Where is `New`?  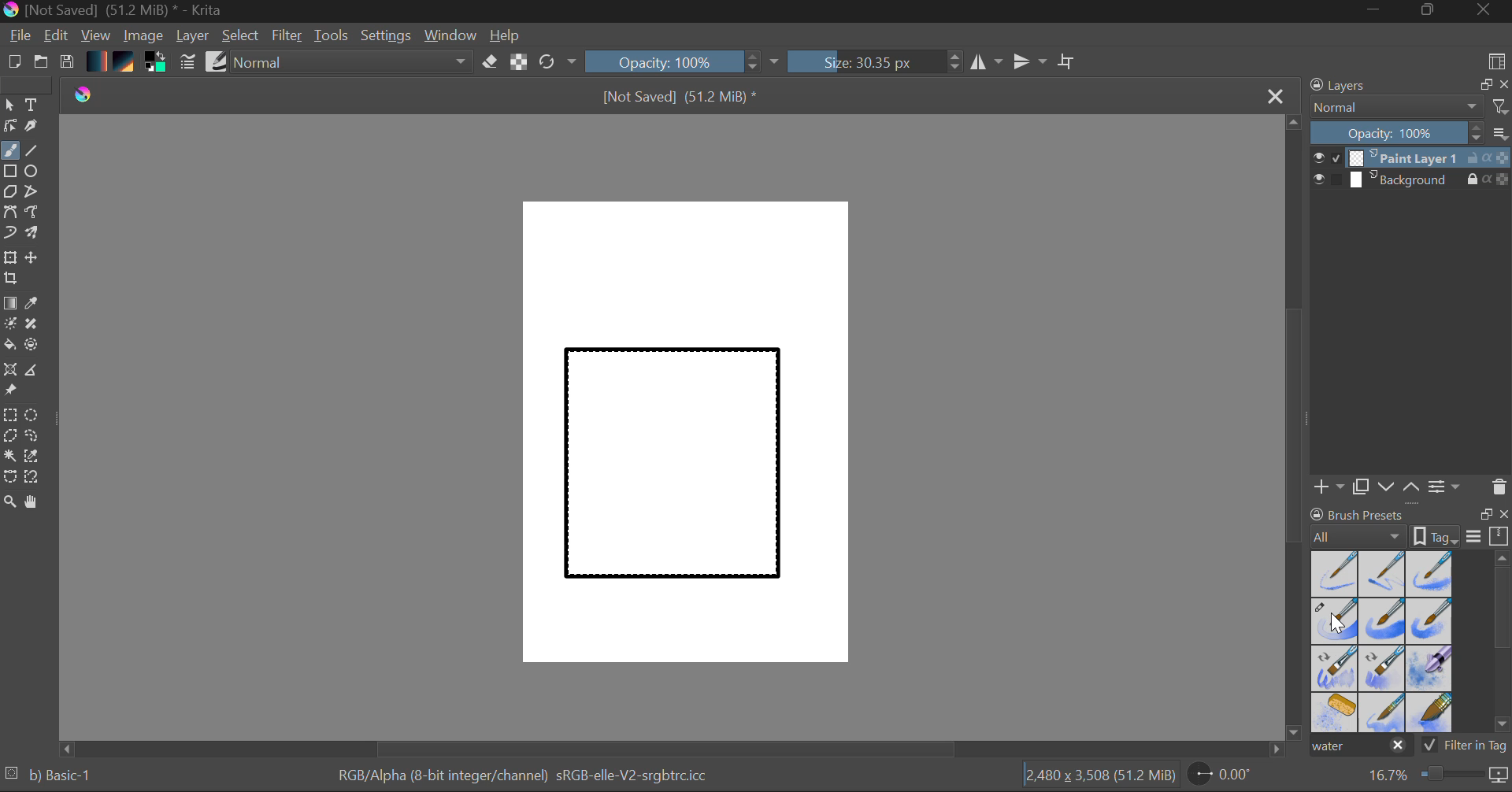
New is located at coordinates (13, 64).